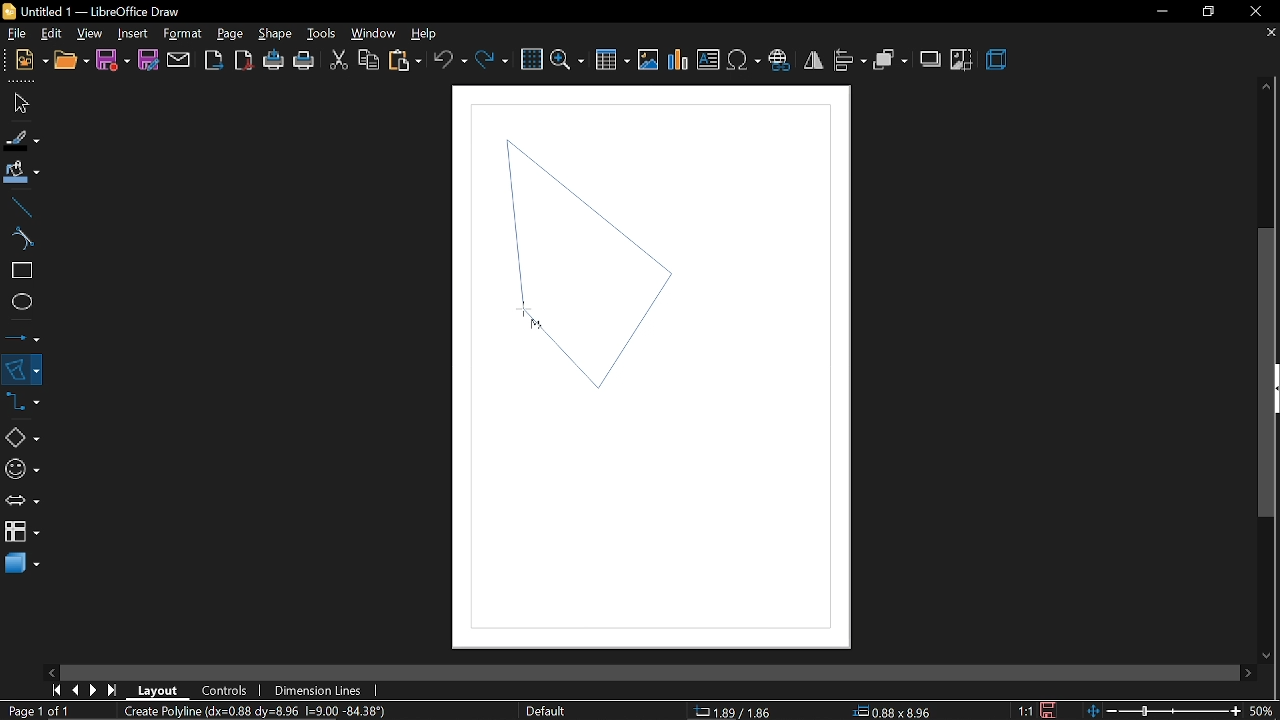 This screenshot has height=720, width=1280. What do you see at coordinates (275, 61) in the screenshot?
I see `print directly` at bounding box center [275, 61].